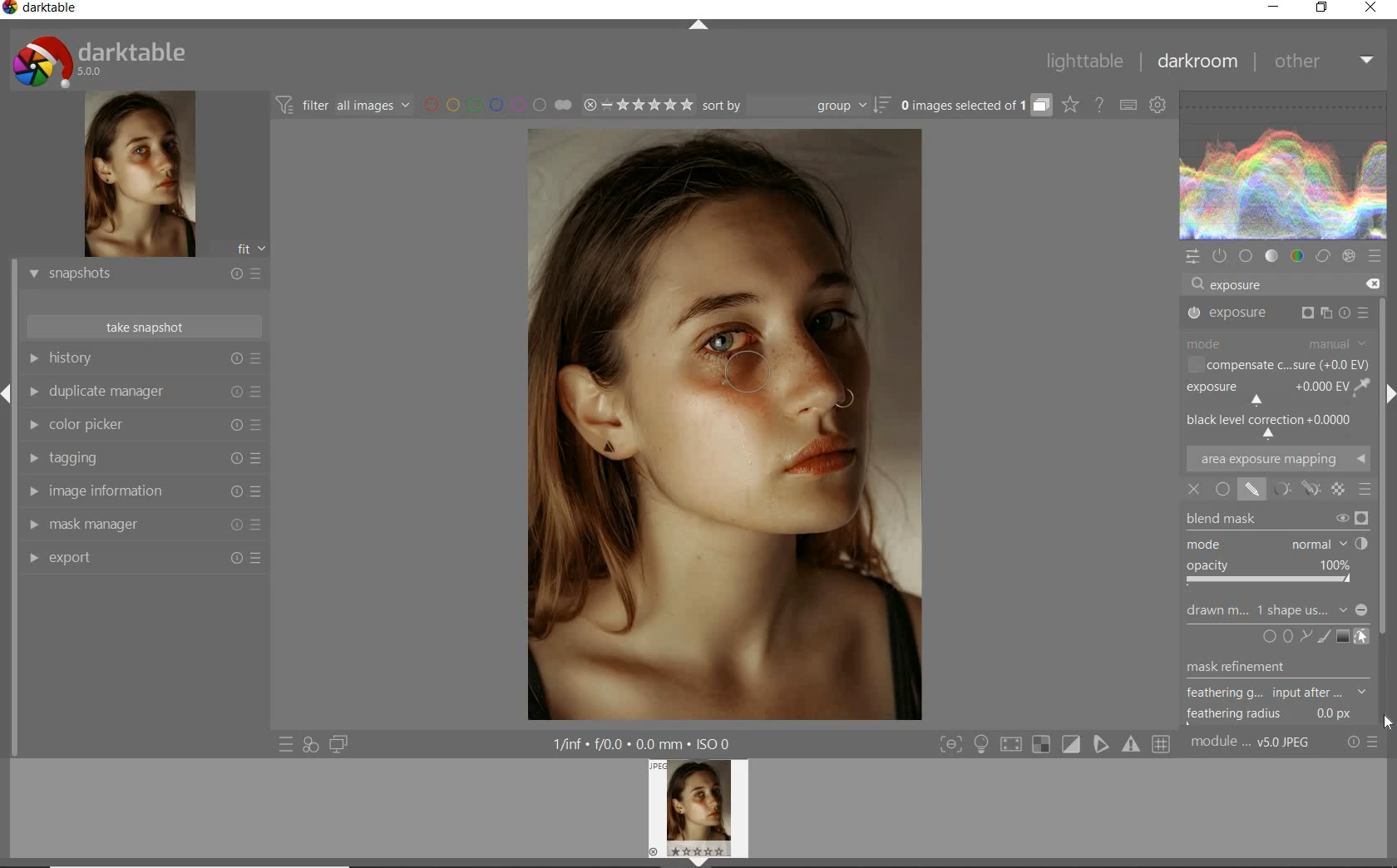 The width and height of the screenshot is (1397, 868). I want to click on ADD BRUSH, so click(1324, 638).